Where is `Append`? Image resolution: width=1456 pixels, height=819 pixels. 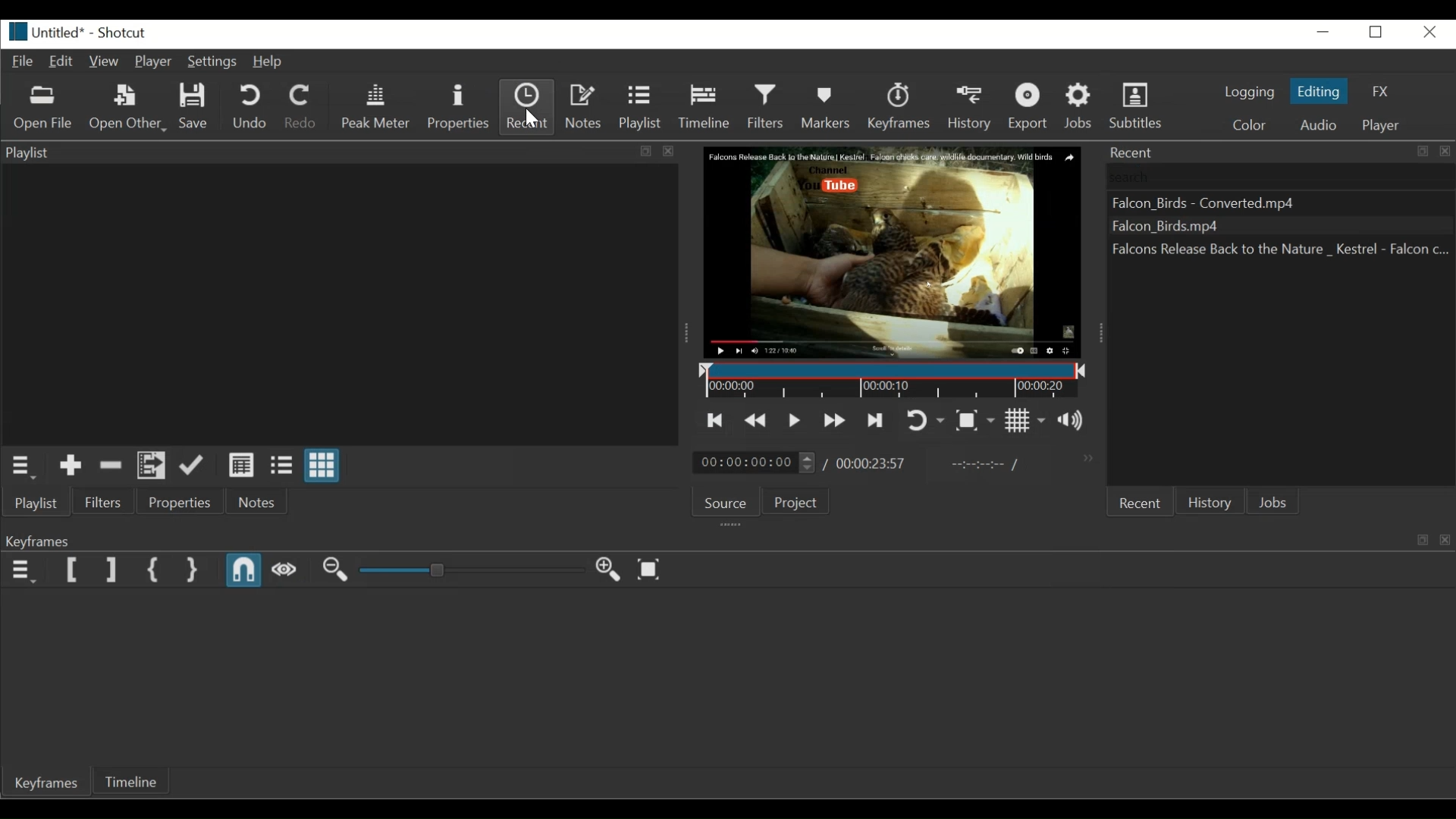 Append is located at coordinates (195, 466).